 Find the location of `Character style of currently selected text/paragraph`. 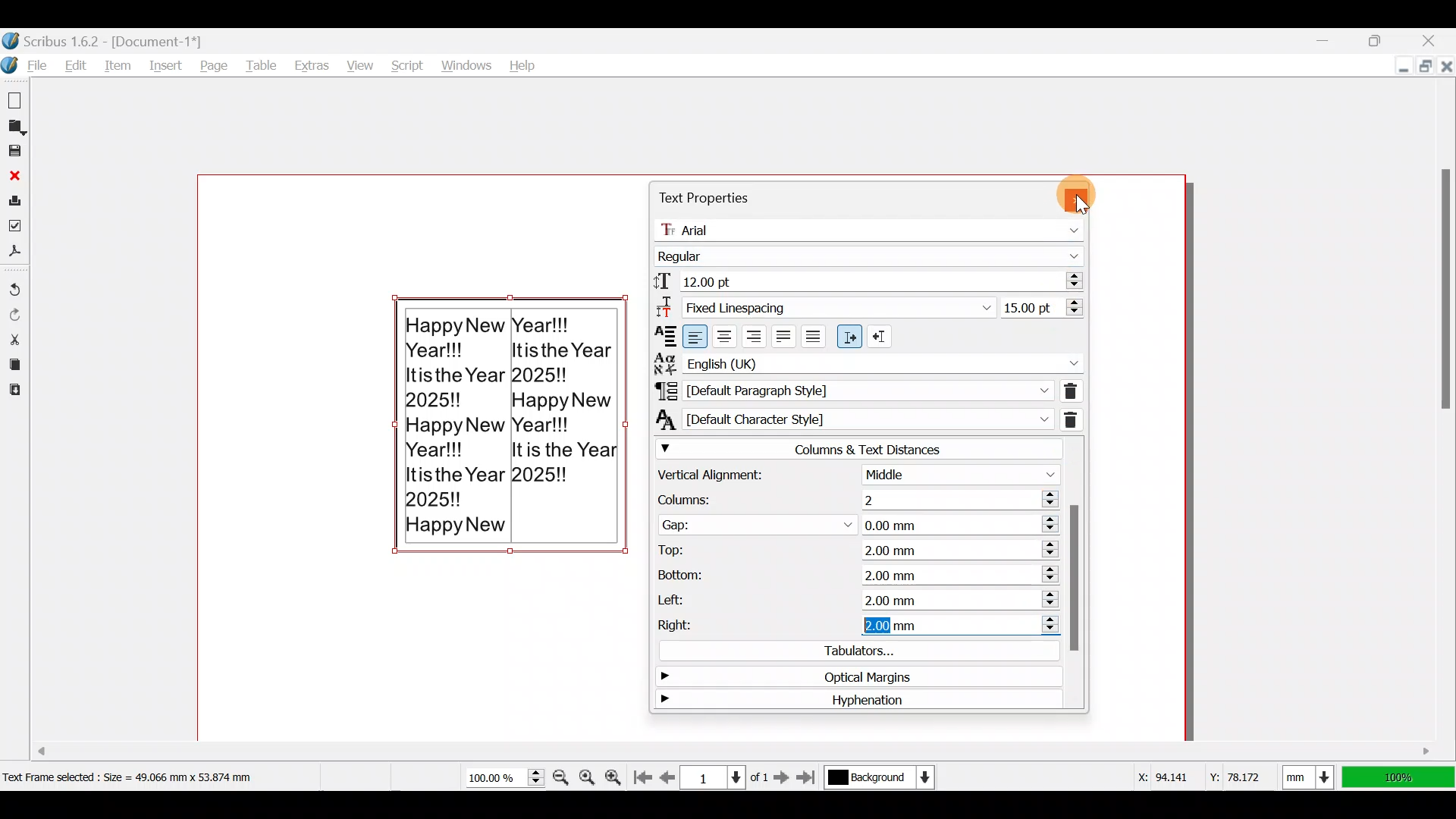

Character style of currently selected text/paragraph is located at coordinates (849, 418).